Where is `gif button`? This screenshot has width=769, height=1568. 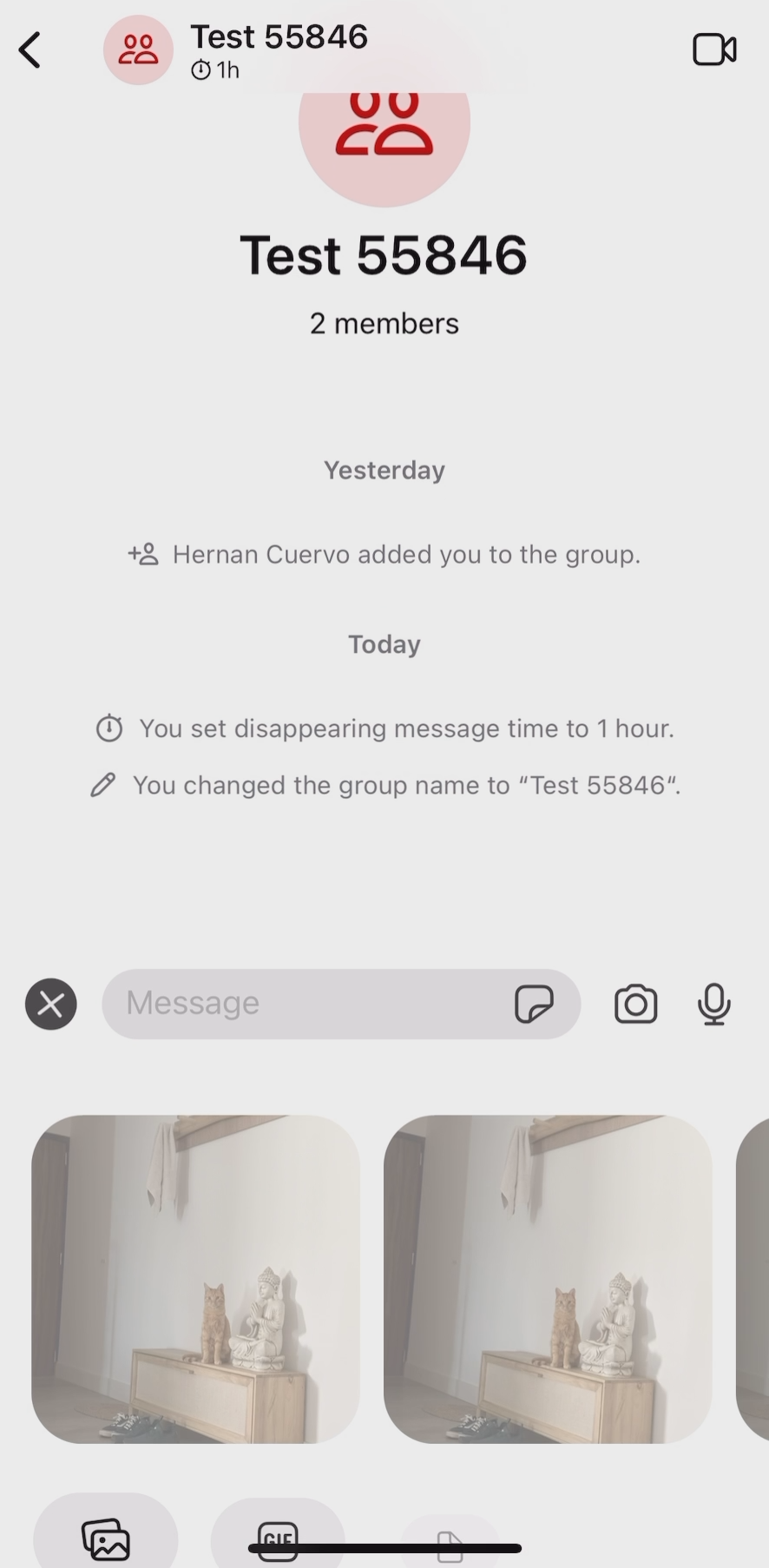
gif button is located at coordinates (279, 1530).